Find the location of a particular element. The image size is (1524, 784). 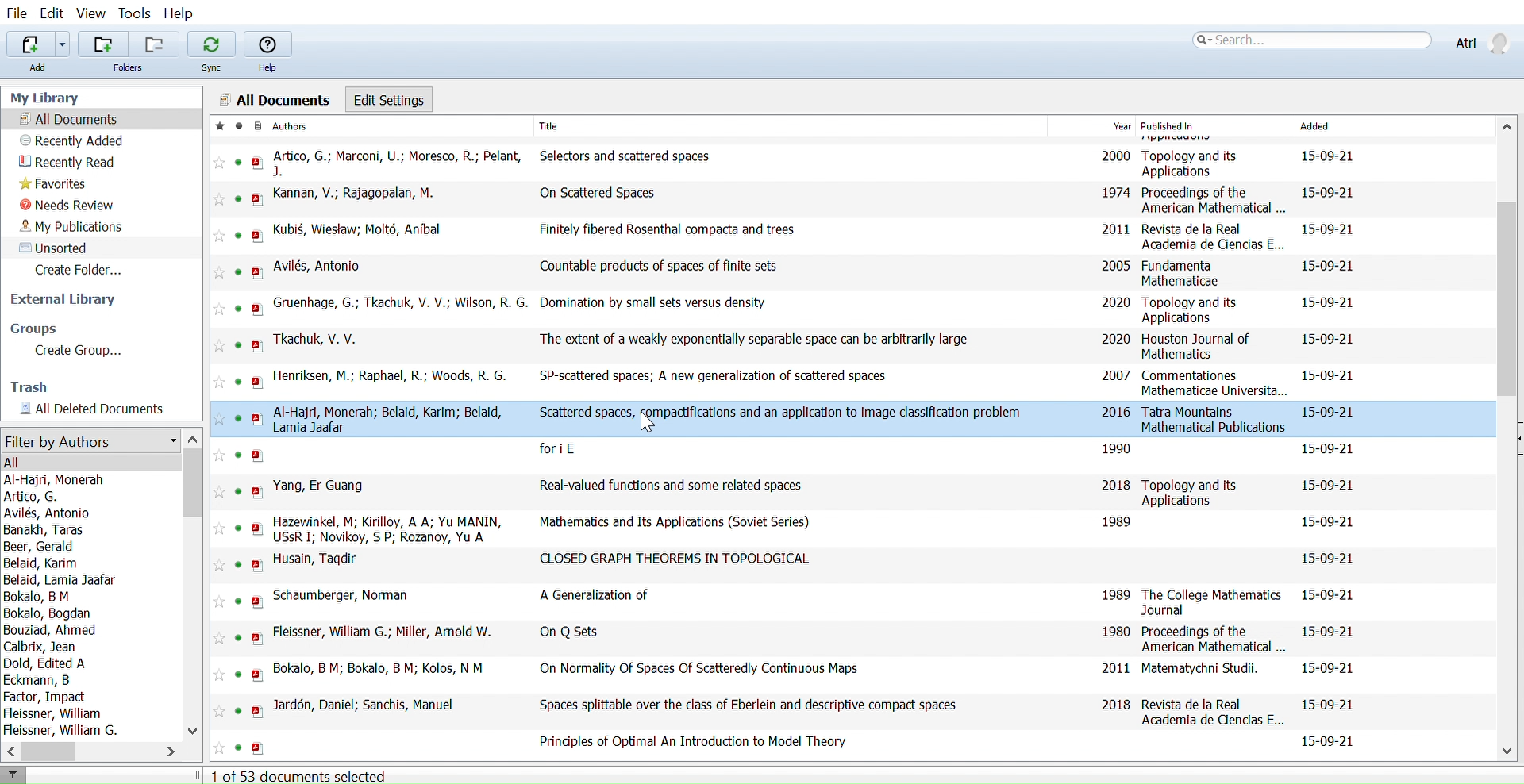

Vertical scrollbar for filtered documents is located at coordinates (194, 485).